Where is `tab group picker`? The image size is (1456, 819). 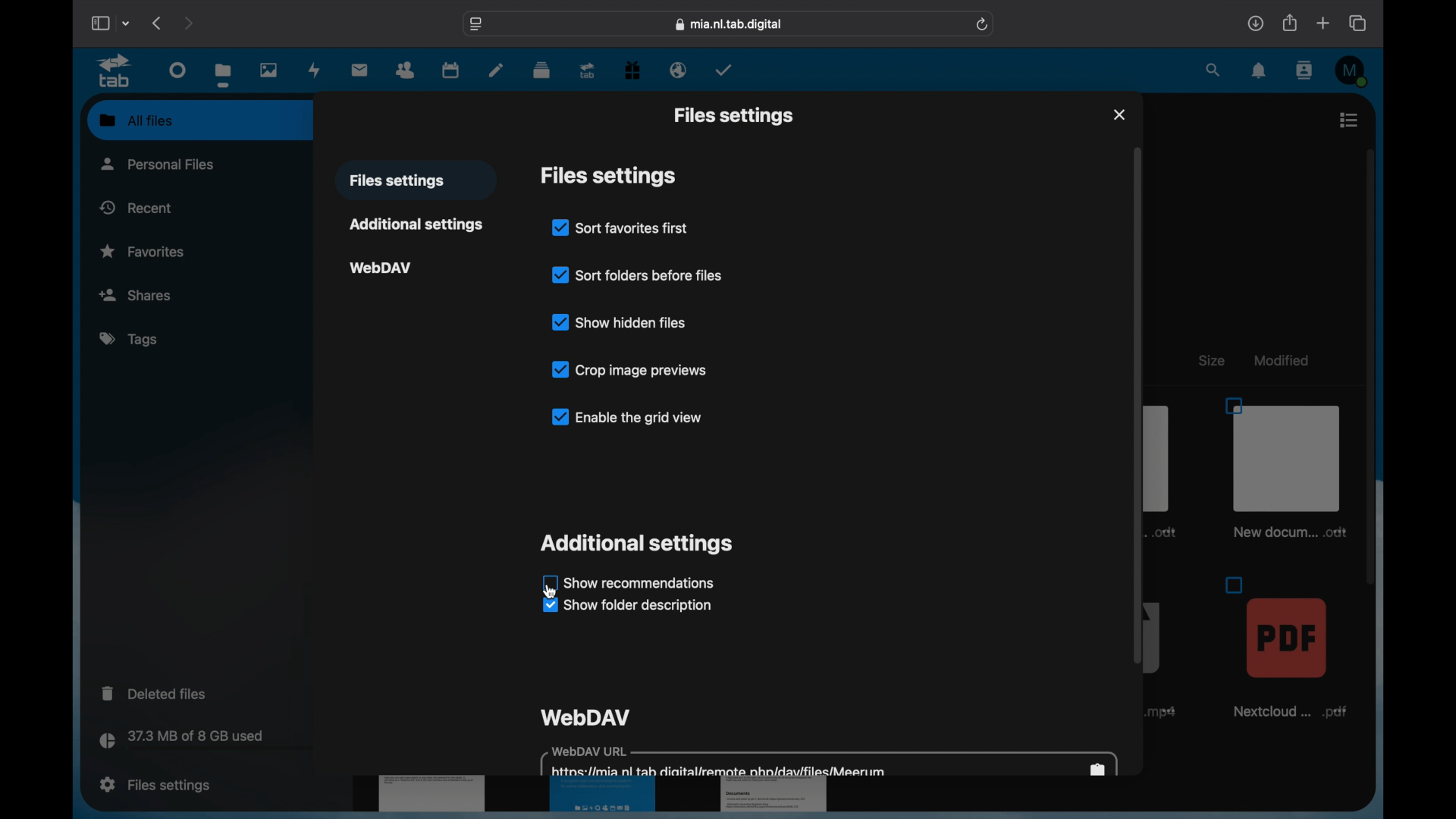 tab group picker is located at coordinates (127, 24).